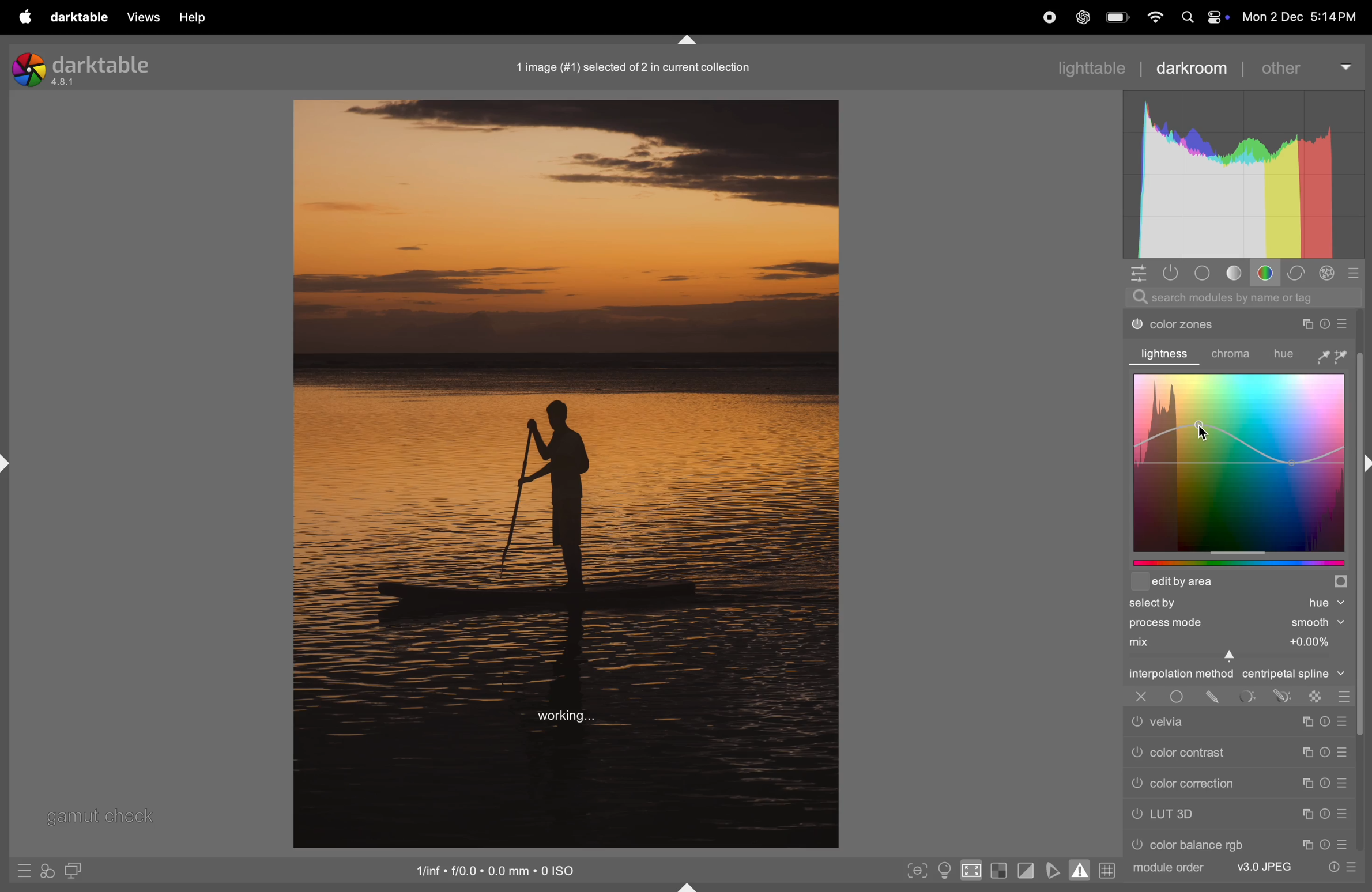  Describe the element at coordinates (1325, 814) in the screenshot. I see `Timer` at that location.